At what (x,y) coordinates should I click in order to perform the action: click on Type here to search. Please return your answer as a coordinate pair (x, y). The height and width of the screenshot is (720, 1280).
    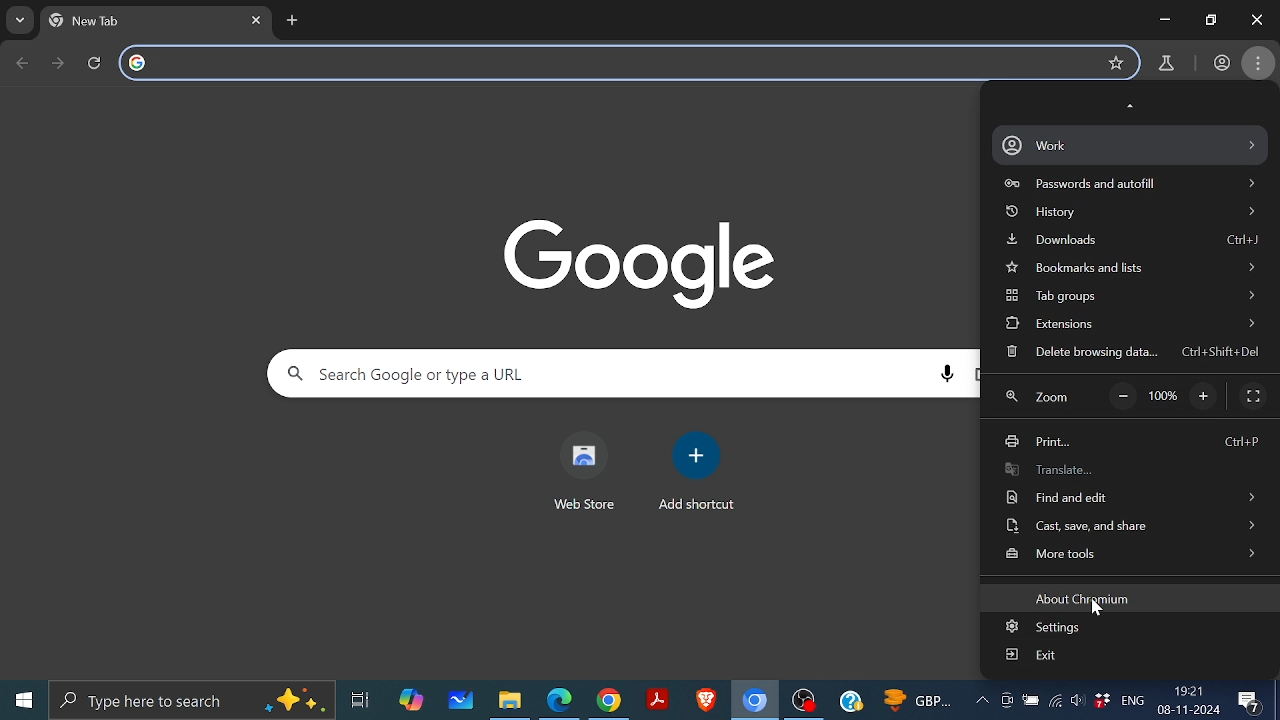
    Looking at the image, I should click on (195, 700).